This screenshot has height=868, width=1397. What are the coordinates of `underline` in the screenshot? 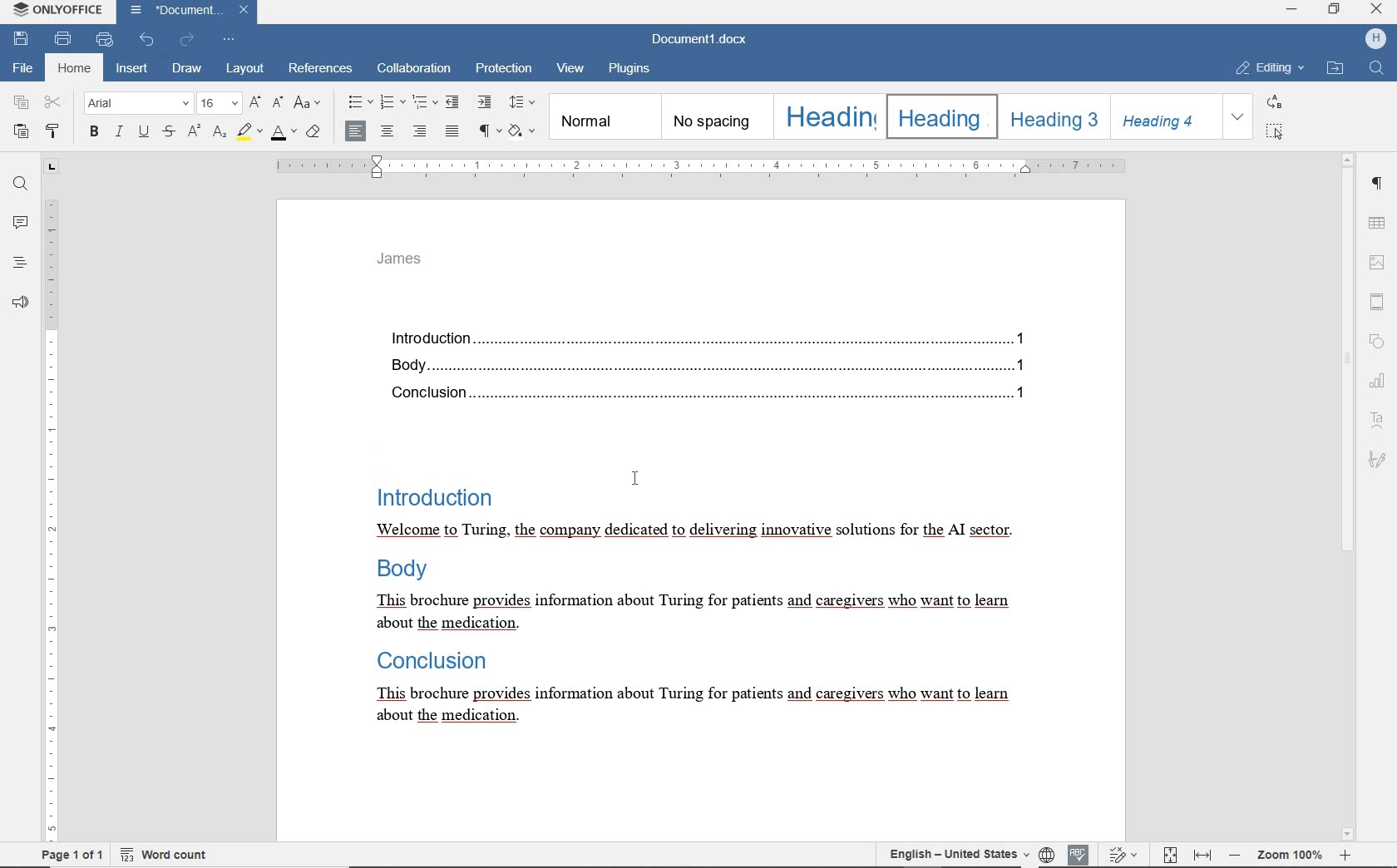 It's located at (146, 133).